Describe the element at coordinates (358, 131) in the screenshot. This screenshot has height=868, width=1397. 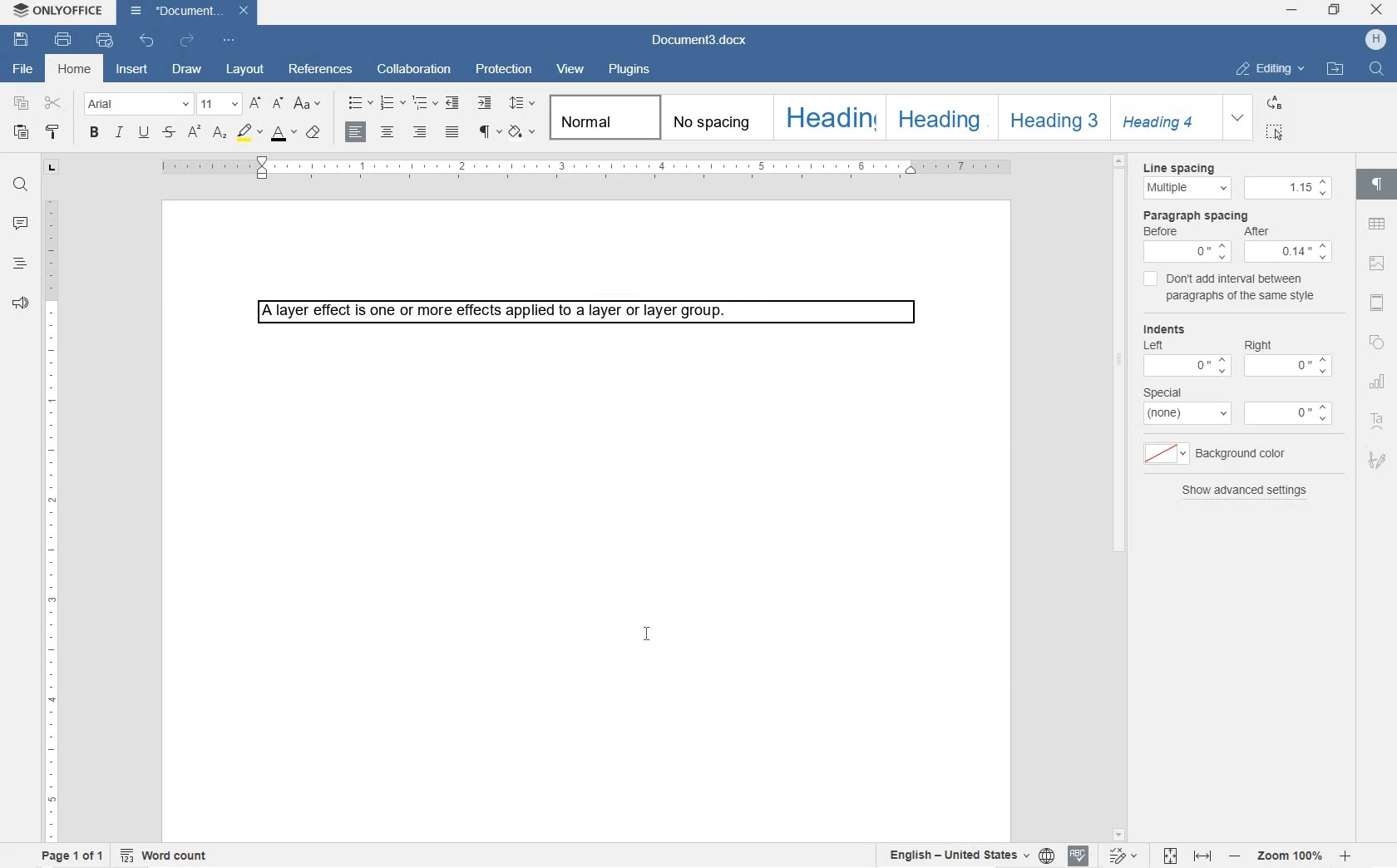
I see `ALIGN LEFT` at that location.